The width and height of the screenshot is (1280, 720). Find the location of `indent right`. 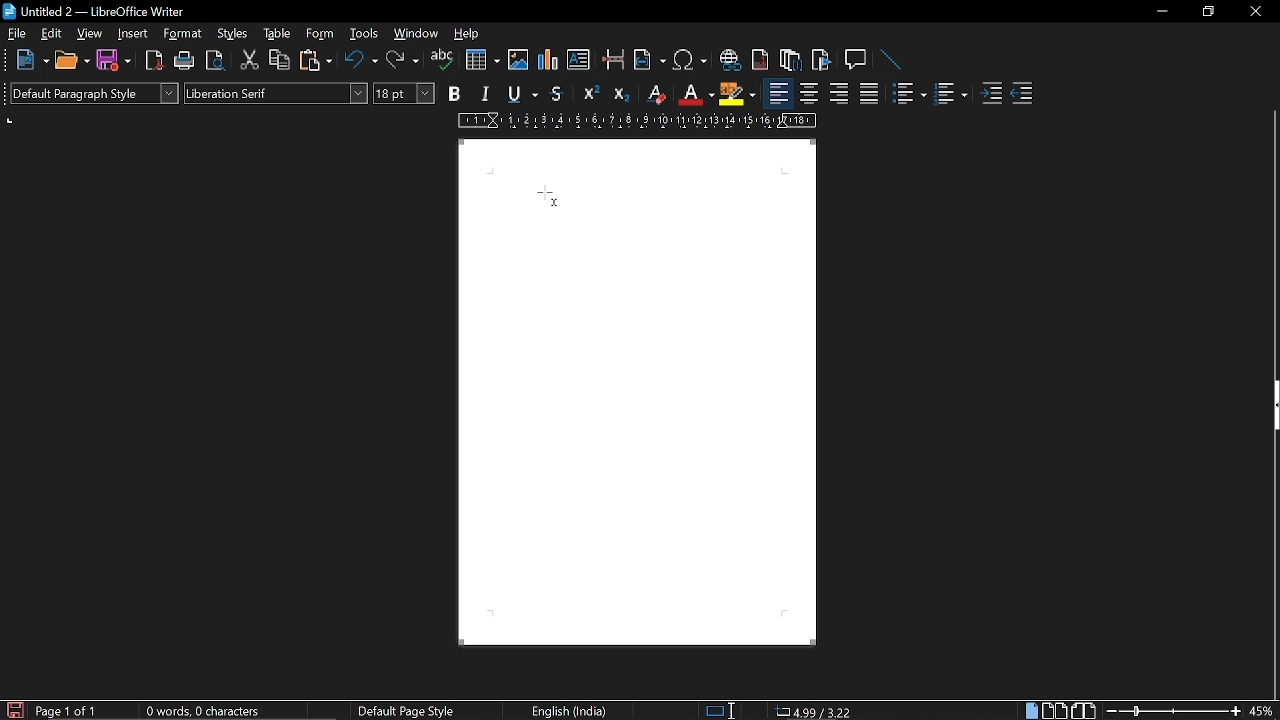

indent right is located at coordinates (1022, 95).